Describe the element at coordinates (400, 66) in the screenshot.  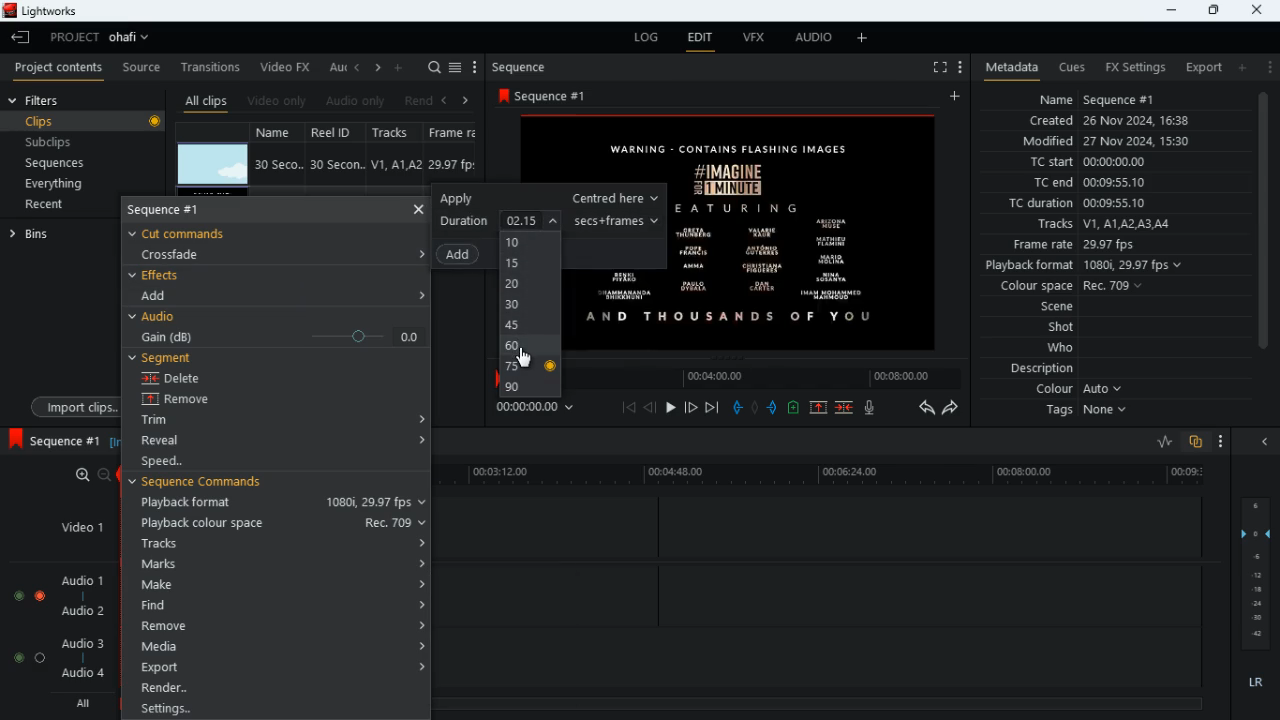
I see `add` at that location.